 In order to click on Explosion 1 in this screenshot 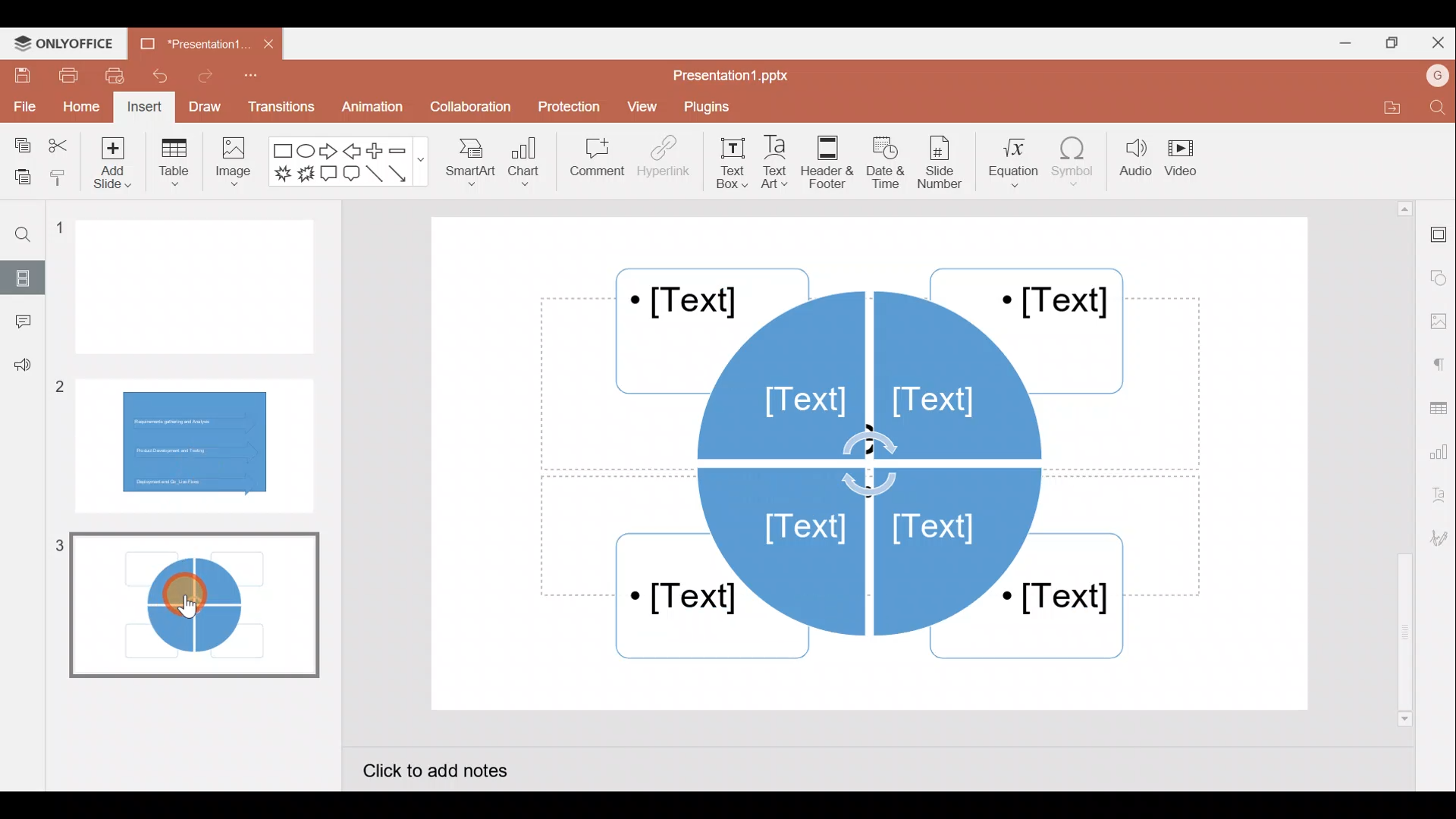, I will do `click(281, 172)`.